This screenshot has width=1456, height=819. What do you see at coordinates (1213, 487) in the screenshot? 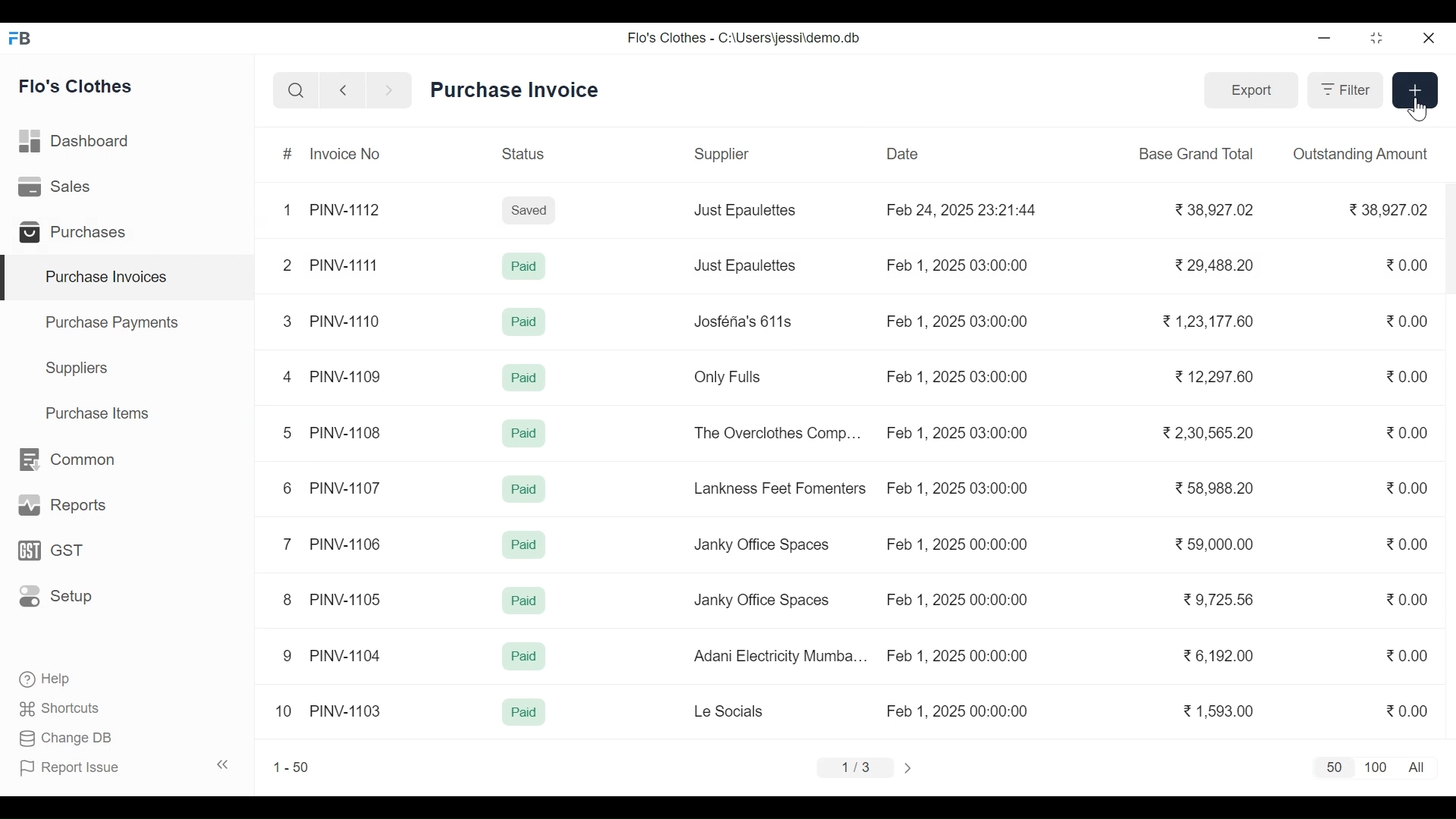
I see `' 58 088.20` at bounding box center [1213, 487].